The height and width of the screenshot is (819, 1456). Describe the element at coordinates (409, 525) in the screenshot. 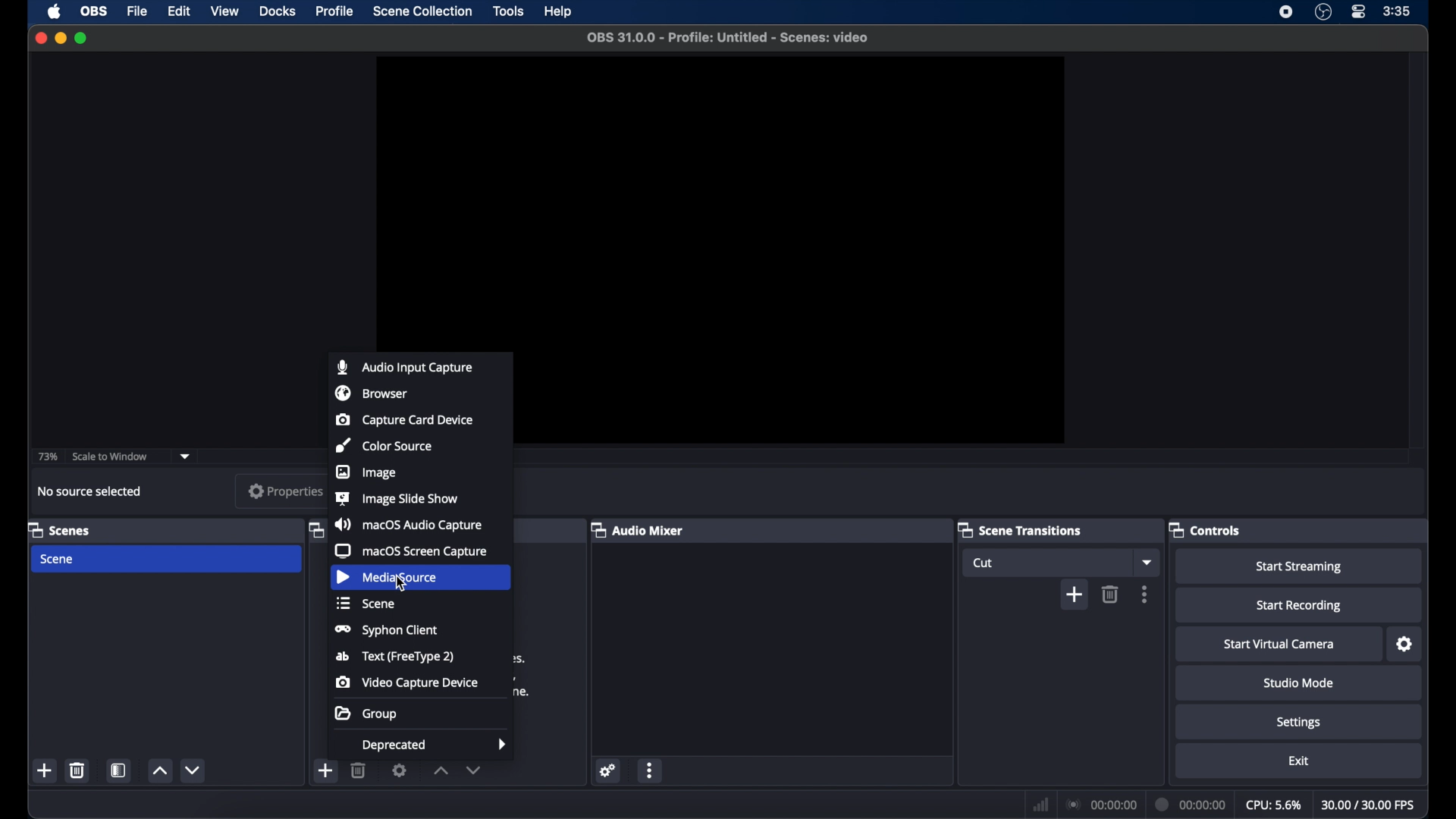

I see `macOS audio capture` at that location.